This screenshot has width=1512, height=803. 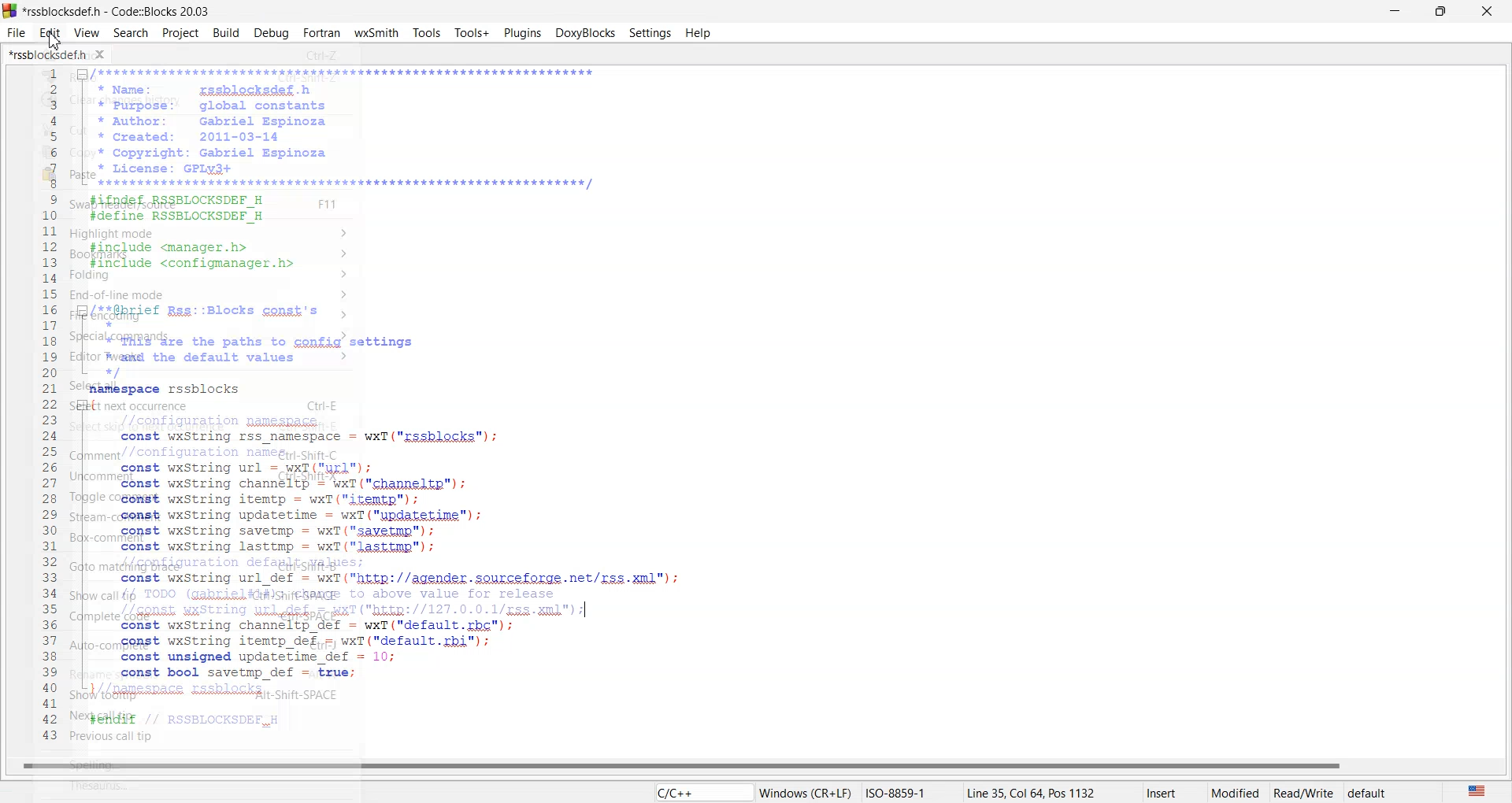 What do you see at coordinates (1442, 11) in the screenshot?
I see `Maximize` at bounding box center [1442, 11].